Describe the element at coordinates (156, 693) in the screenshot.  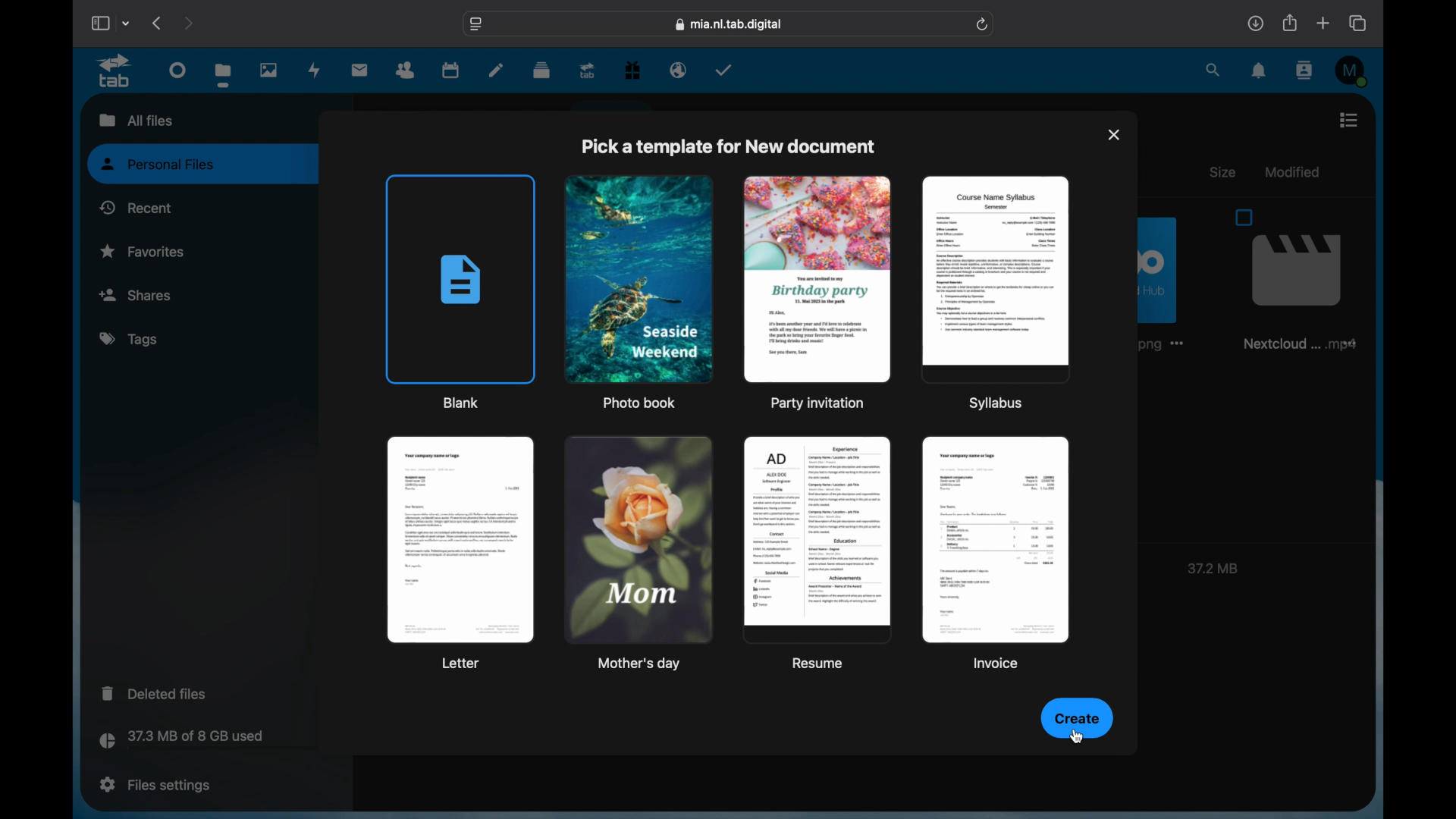
I see `deleted` at that location.